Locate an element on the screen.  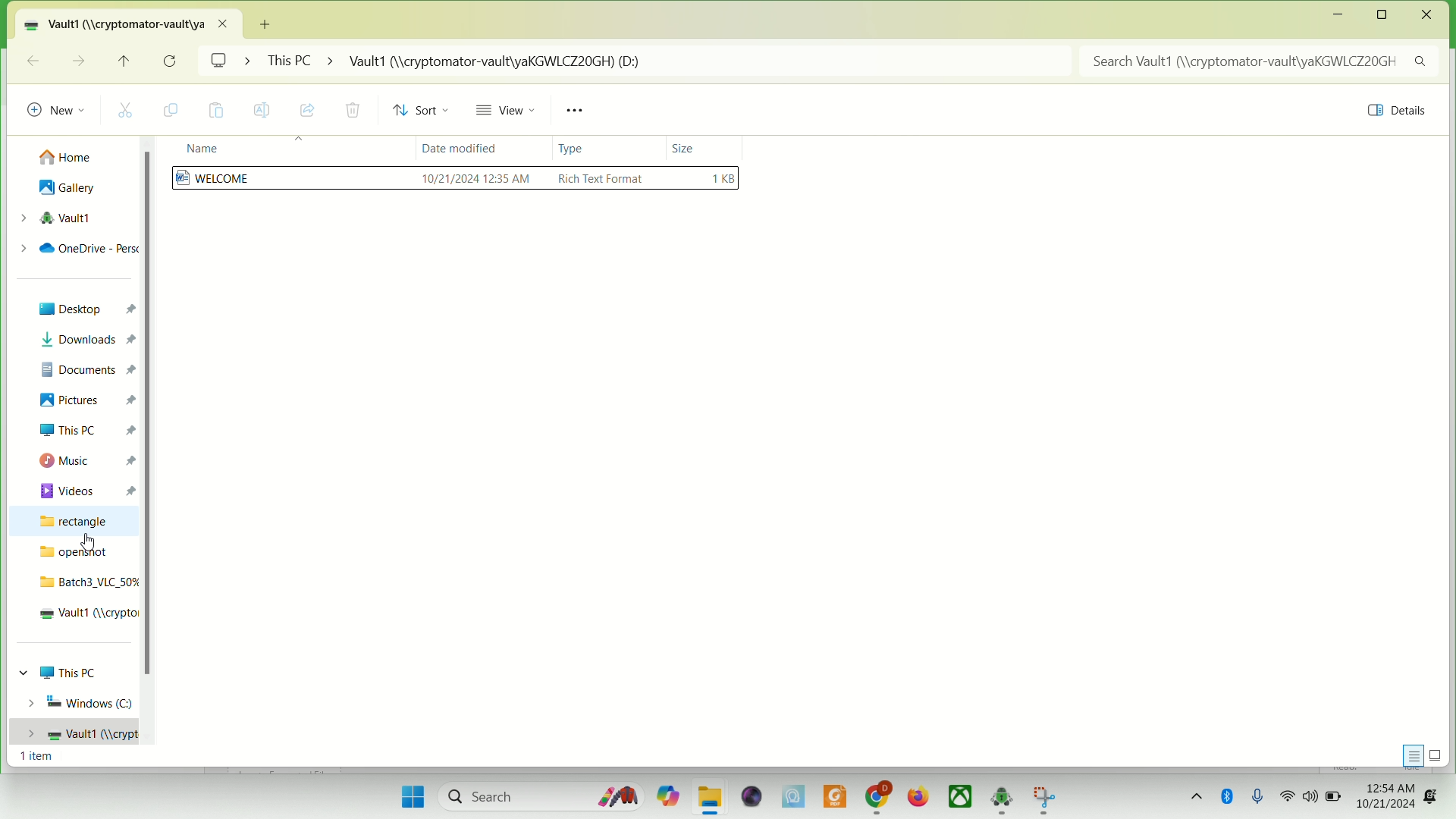
this PC is located at coordinates (86, 430).